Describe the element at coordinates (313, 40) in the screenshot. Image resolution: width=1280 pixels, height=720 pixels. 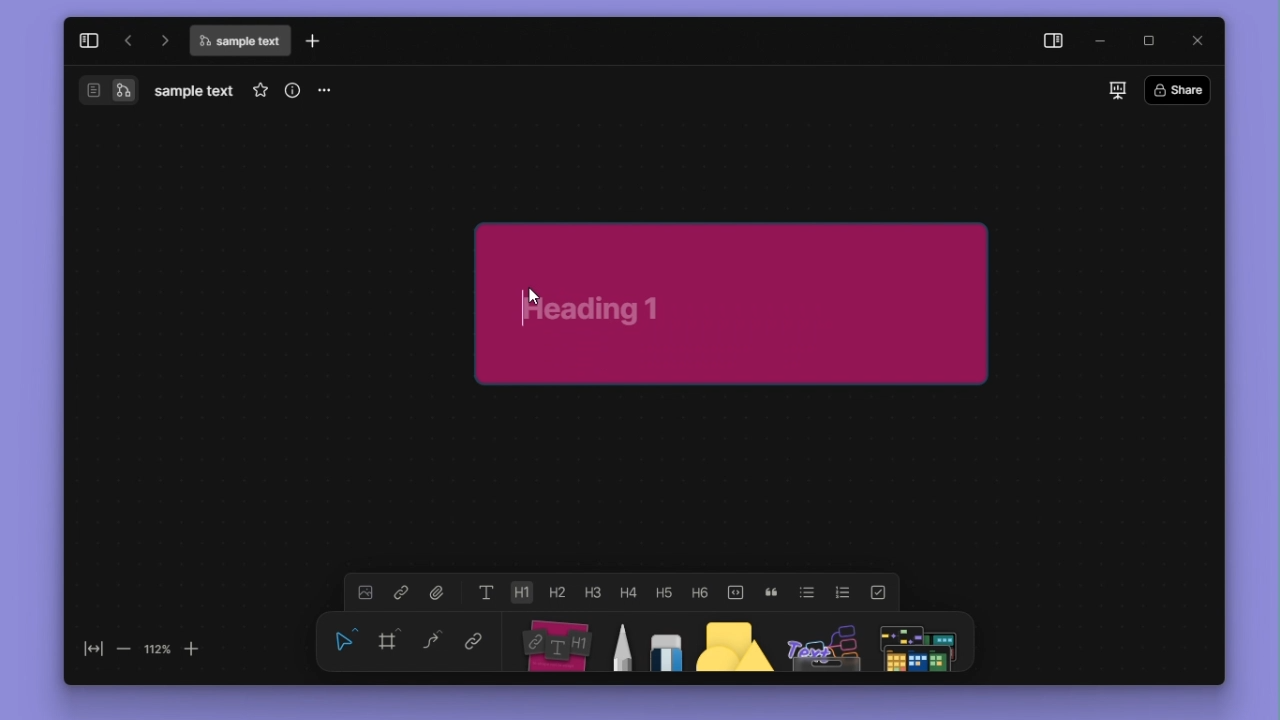
I see `new tab` at that location.